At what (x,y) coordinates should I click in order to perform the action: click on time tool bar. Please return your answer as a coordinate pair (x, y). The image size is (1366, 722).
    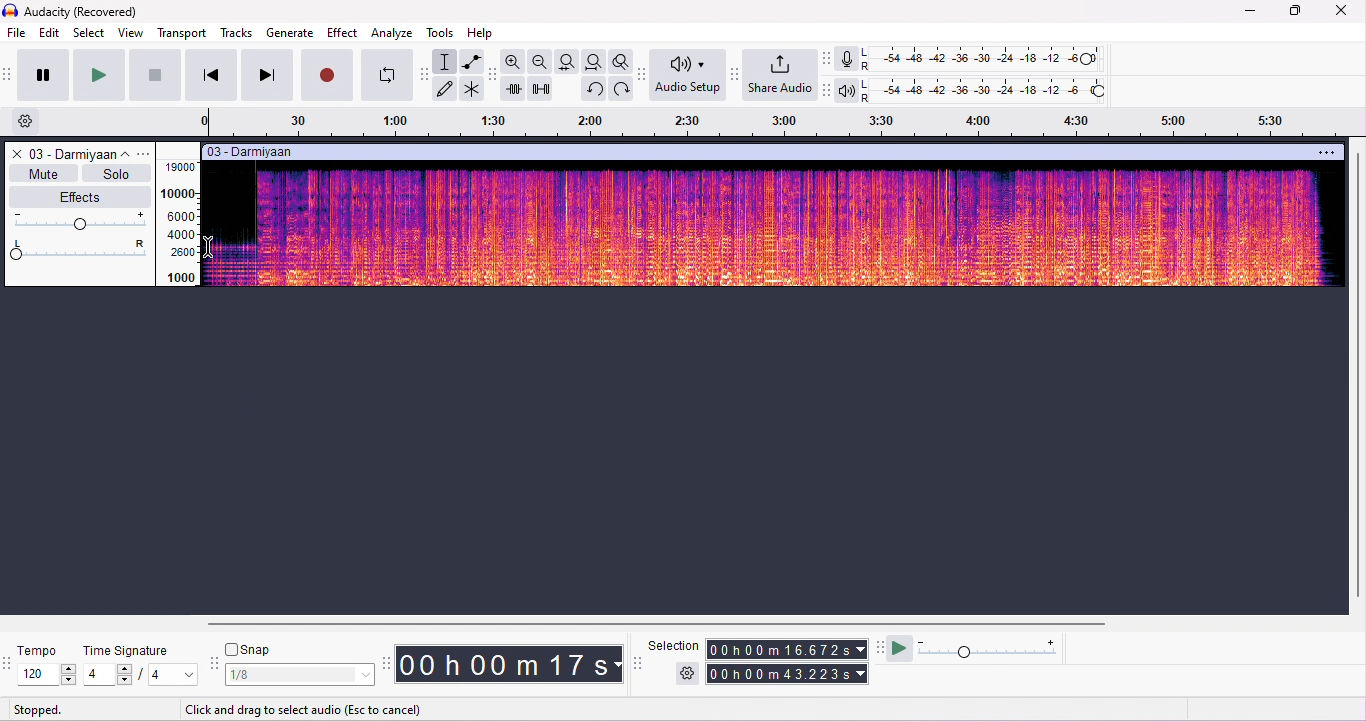
    Looking at the image, I should click on (389, 663).